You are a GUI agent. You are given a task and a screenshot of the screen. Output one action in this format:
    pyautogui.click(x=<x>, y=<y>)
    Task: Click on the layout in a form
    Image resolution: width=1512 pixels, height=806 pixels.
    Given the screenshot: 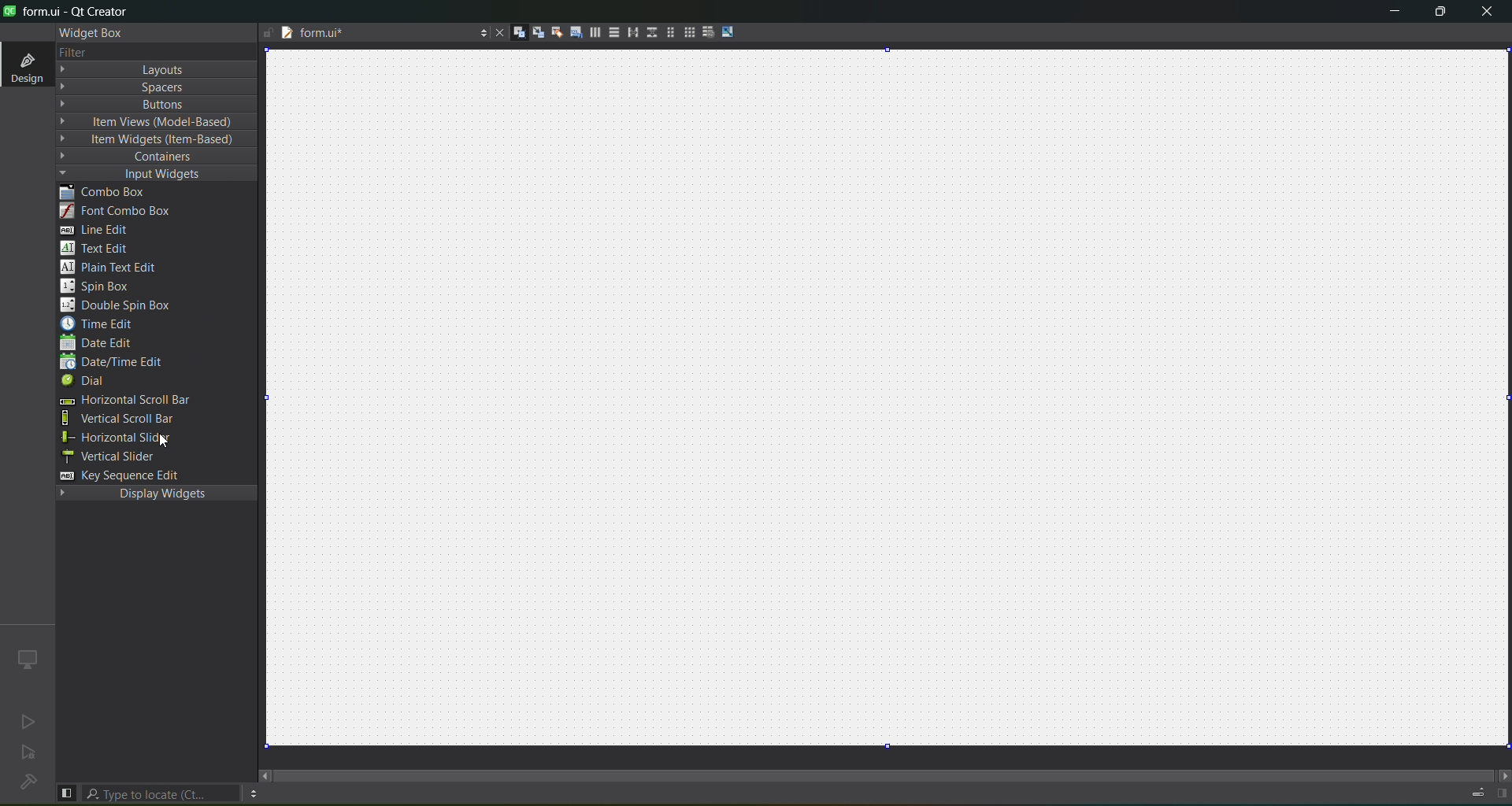 What is the action you would take?
    pyautogui.click(x=672, y=33)
    